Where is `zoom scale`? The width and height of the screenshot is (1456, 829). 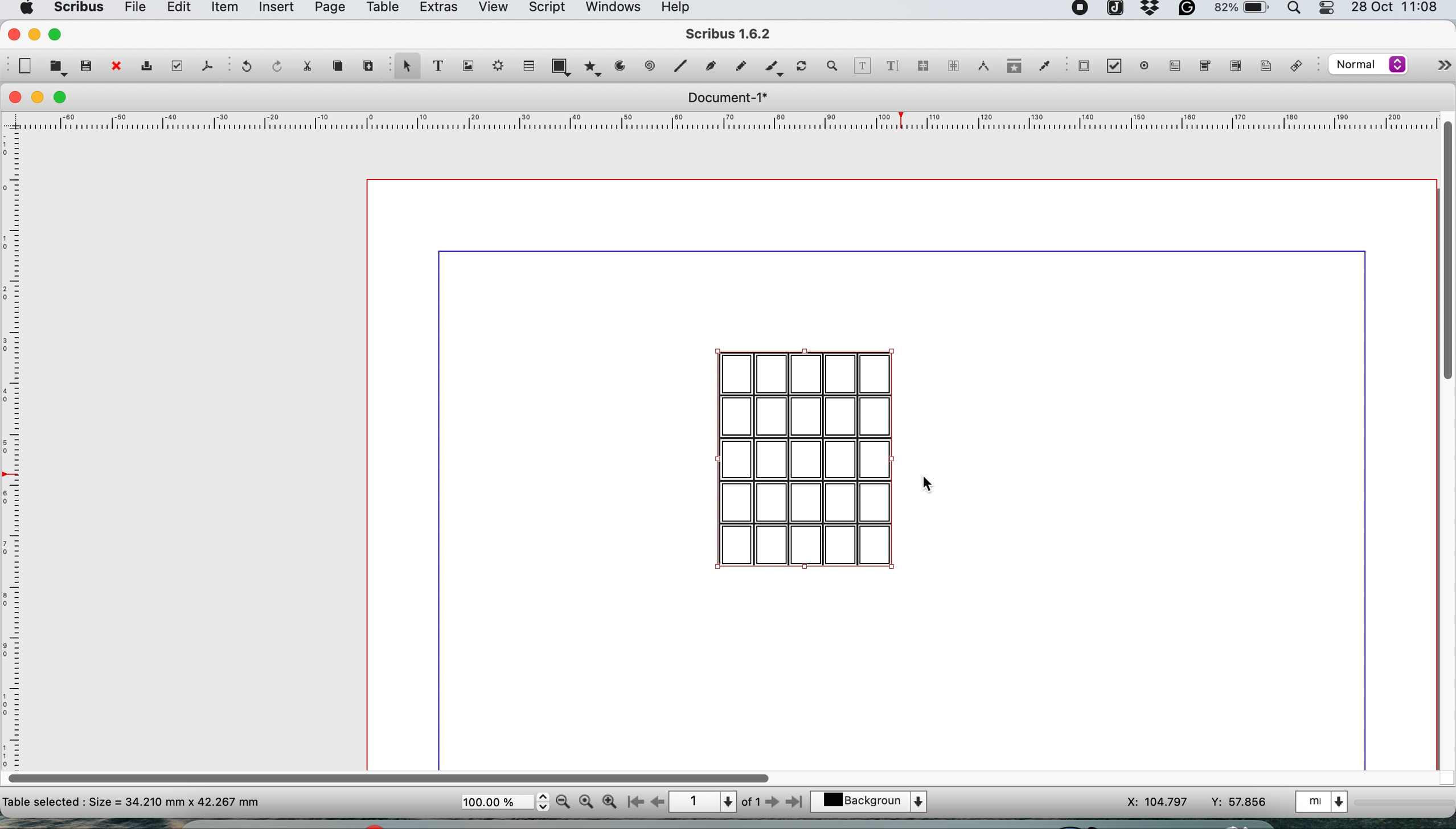
zoom scale is located at coordinates (505, 802).